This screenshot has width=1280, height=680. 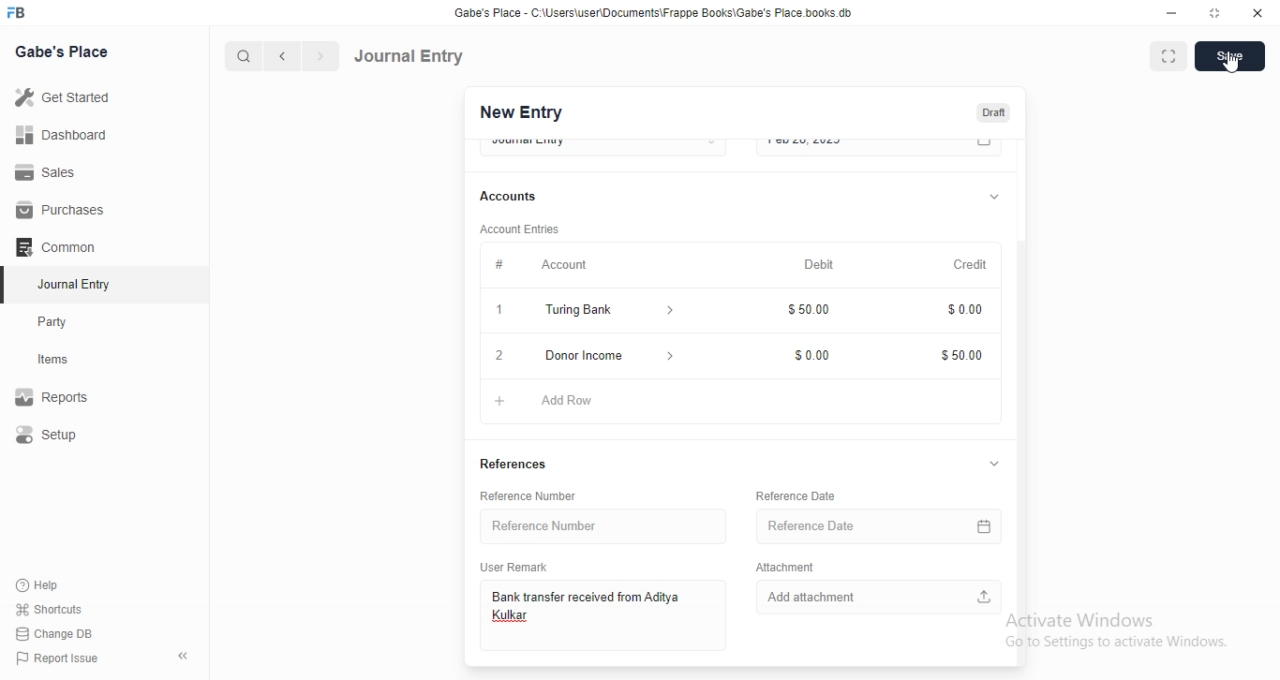 What do you see at coordinates (962, 356) in the screenshot?
I see `$5000` at bounding box center [962, 356].